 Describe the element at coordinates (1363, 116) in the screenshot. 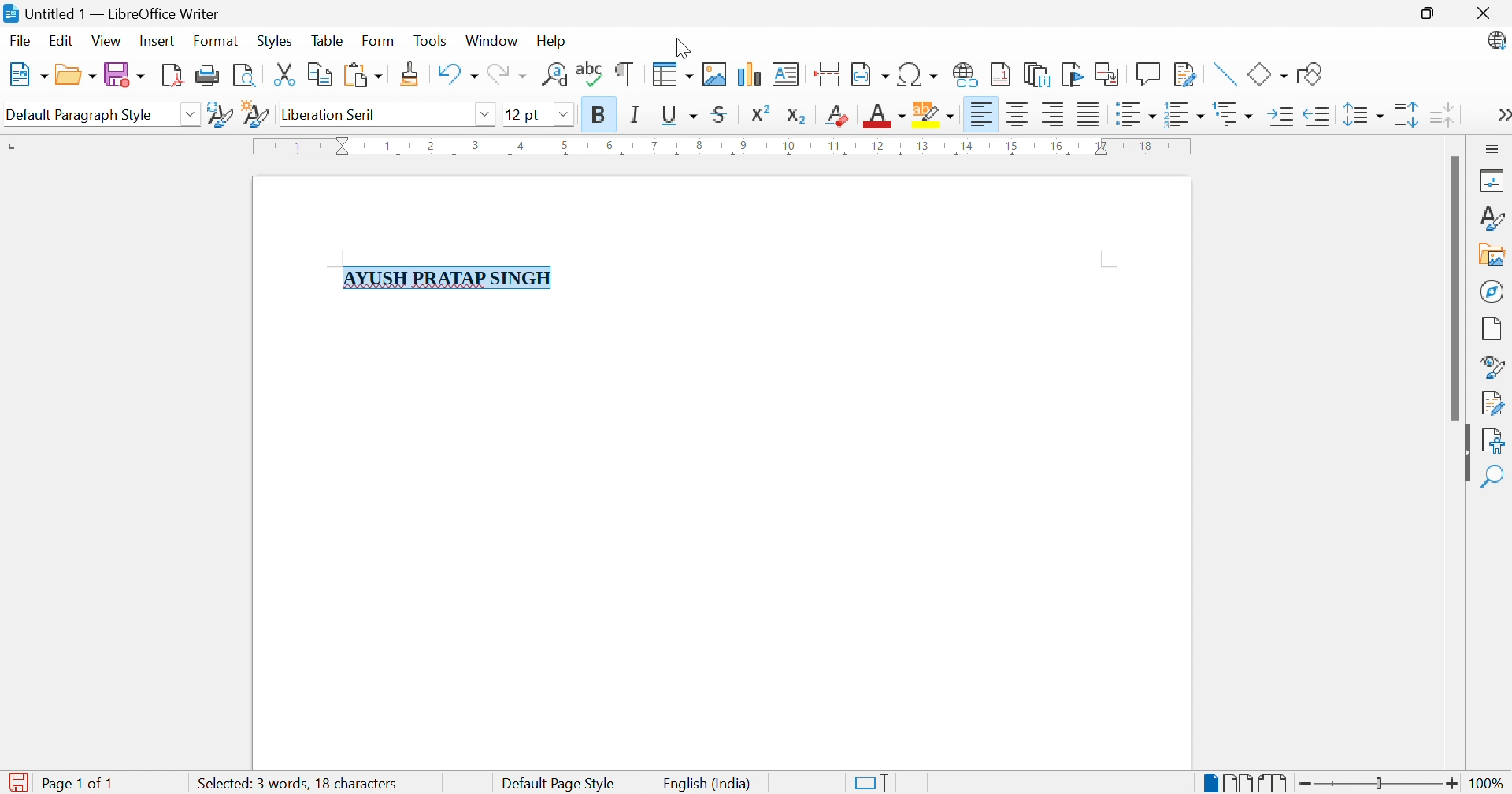

I see `Set Line Spacing` at that location.